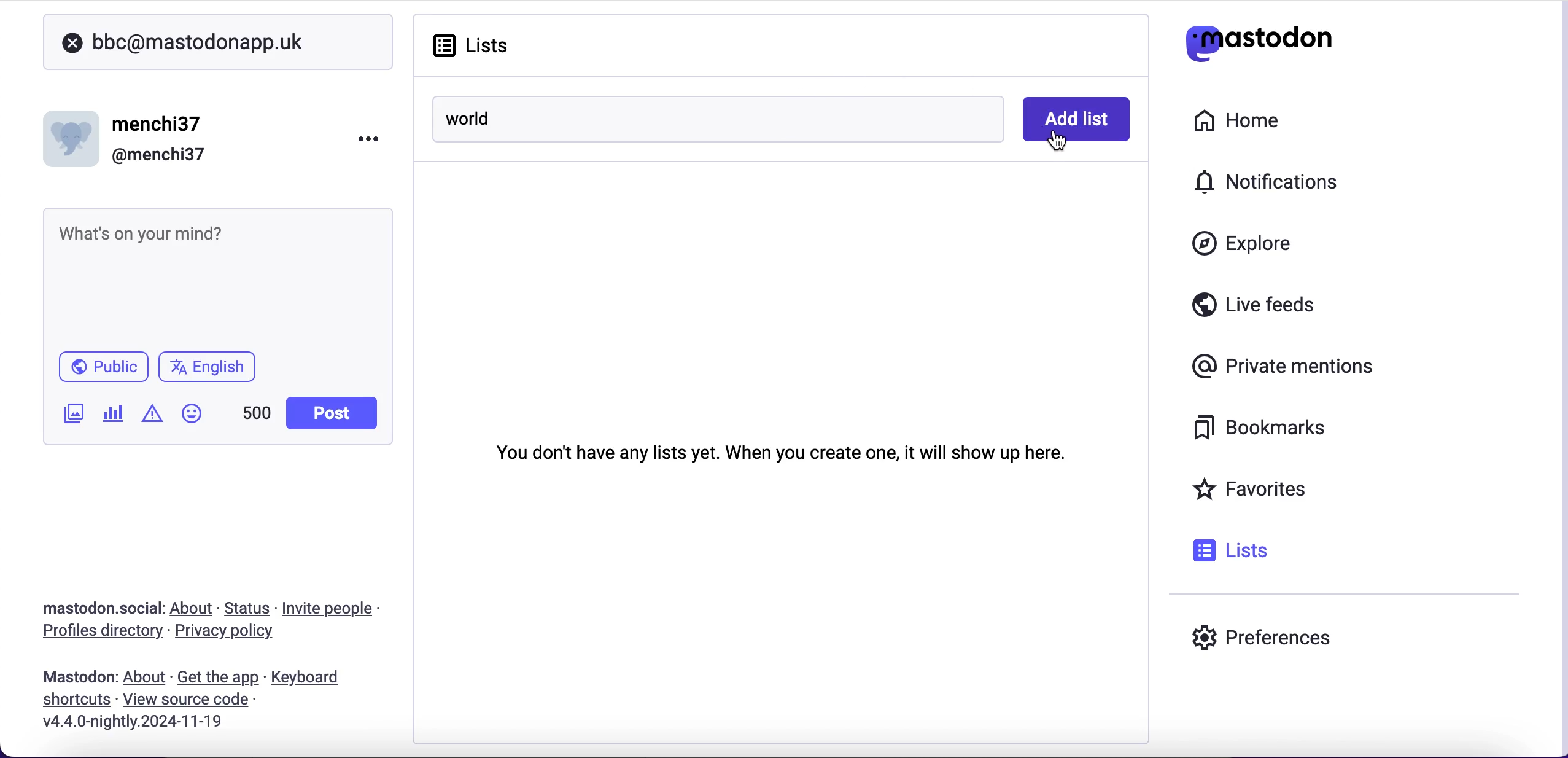 This screenshot has height=758, width=1568. Describe the element at coordinates (470, 117) in the screenshot. I see `world` at that location.